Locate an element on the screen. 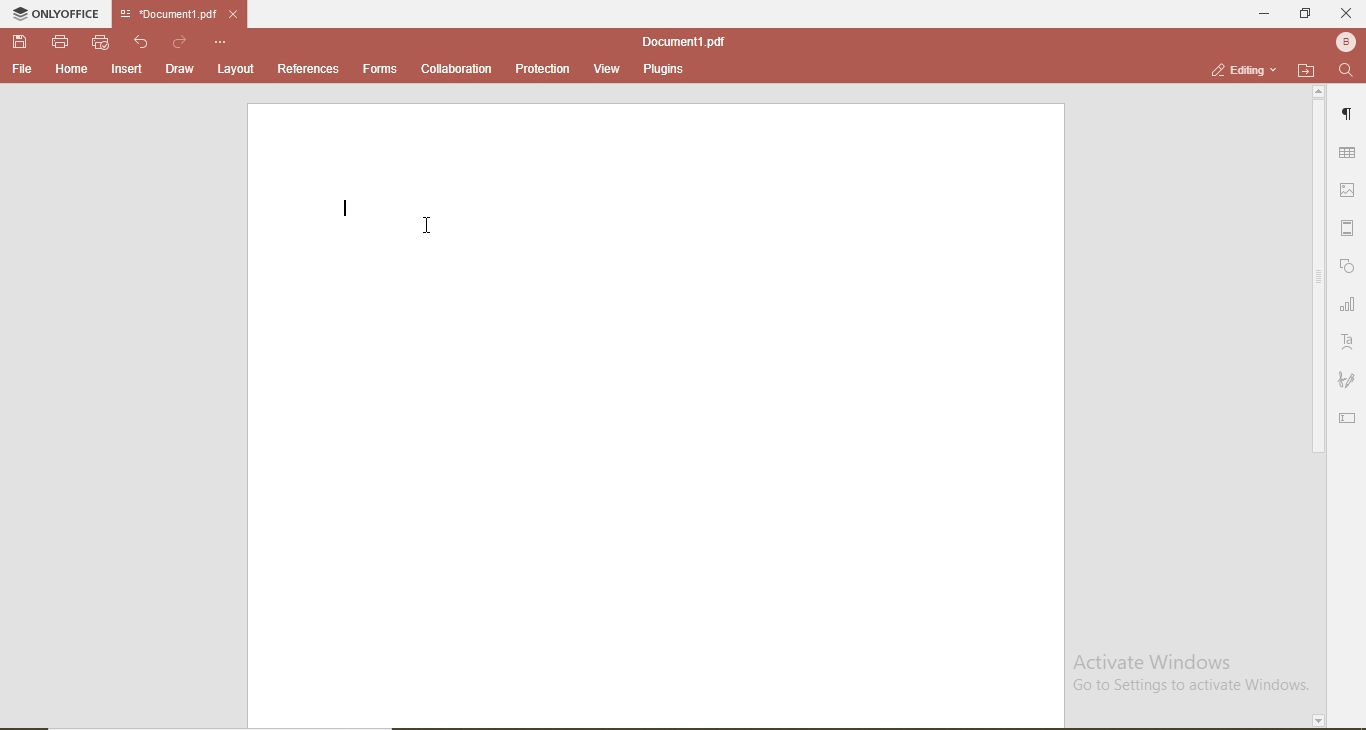  home is located at coordinates (73, 70).